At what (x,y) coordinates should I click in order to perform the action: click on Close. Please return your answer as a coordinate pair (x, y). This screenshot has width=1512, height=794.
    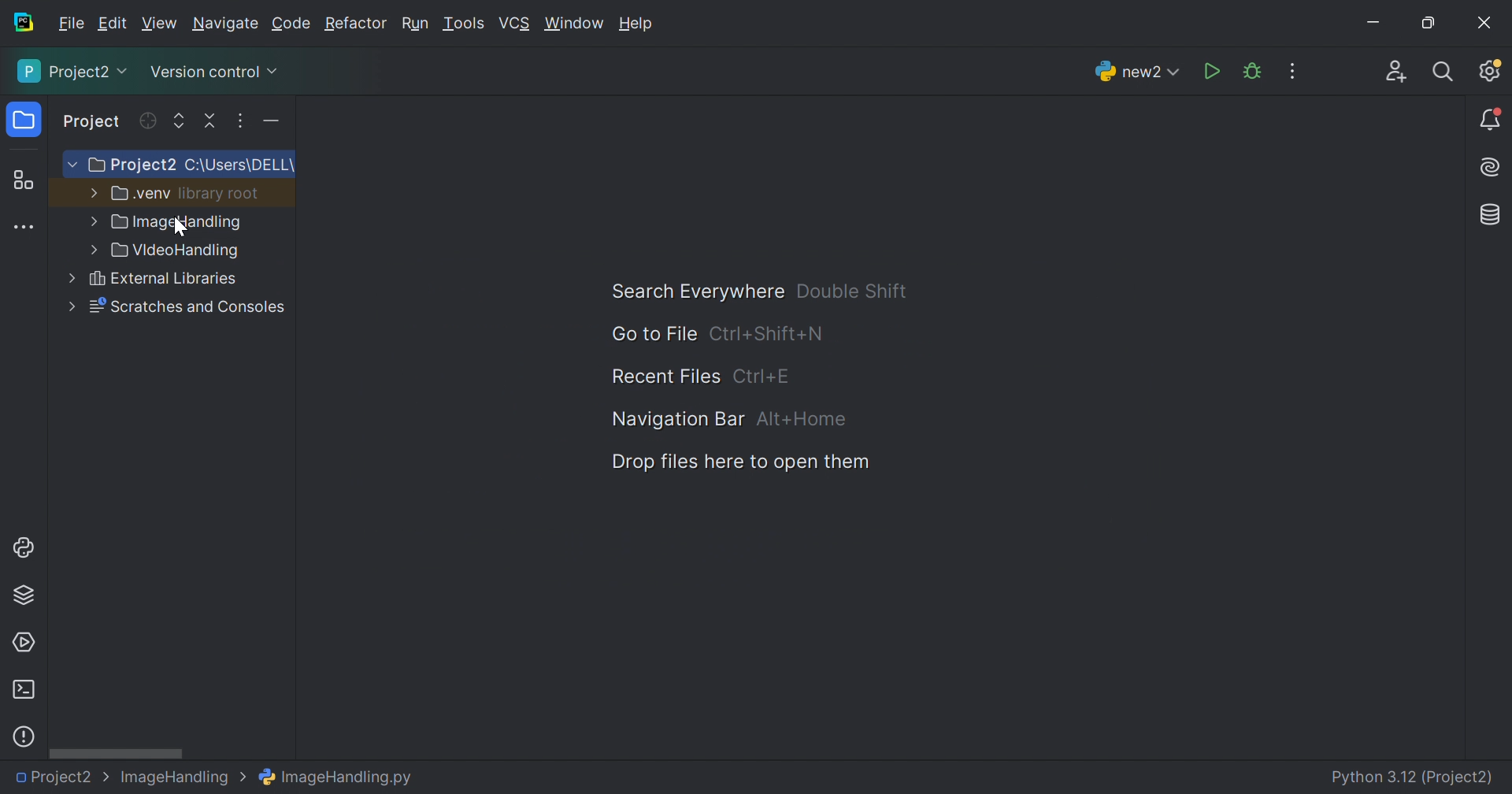
    Looking at the image, I should click on (1484, 23).